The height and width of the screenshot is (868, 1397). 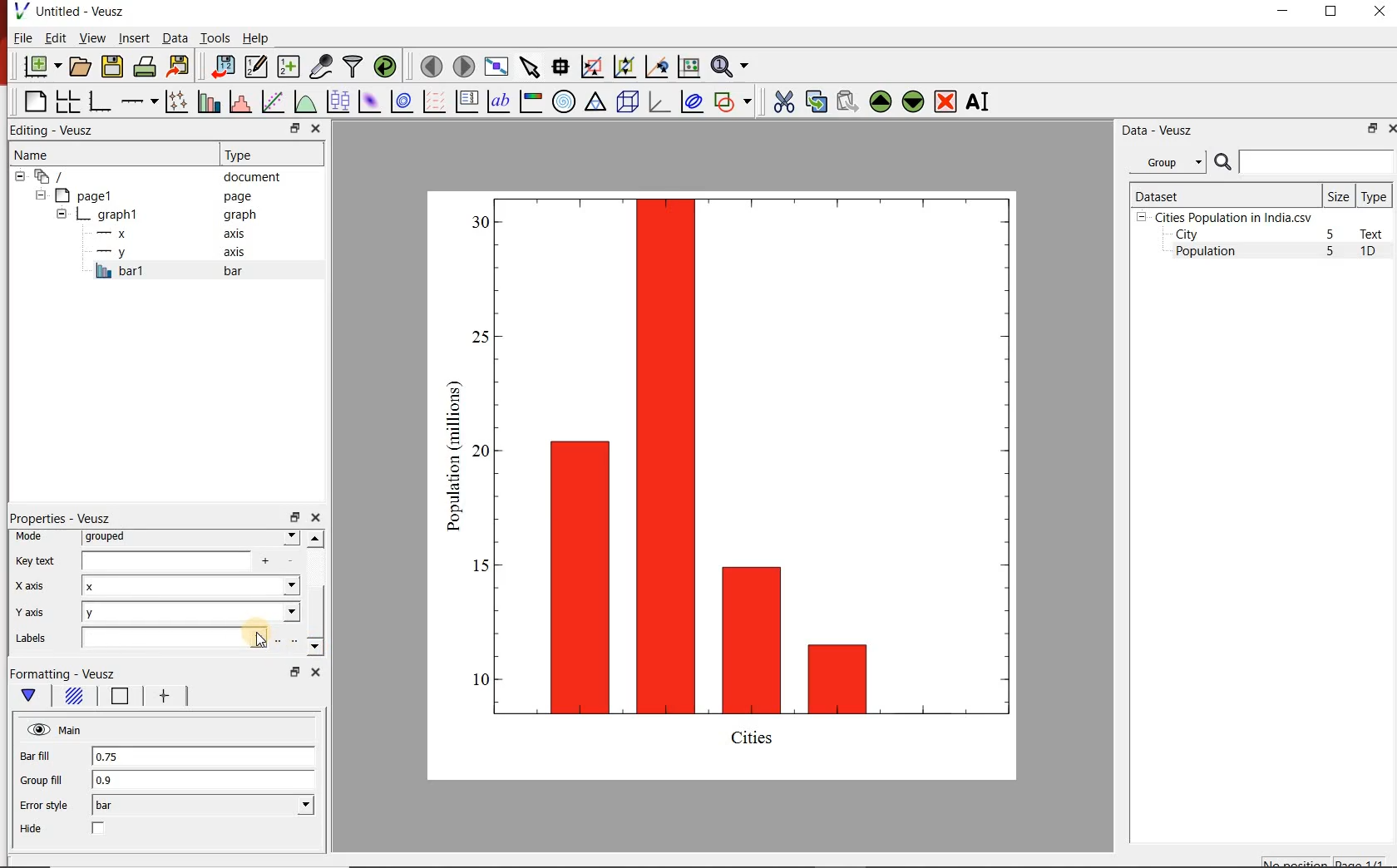 What do you see at coordinates (429, 65) in the screenshot?
I see `move to the previous page` at bounding box center [429, 65].